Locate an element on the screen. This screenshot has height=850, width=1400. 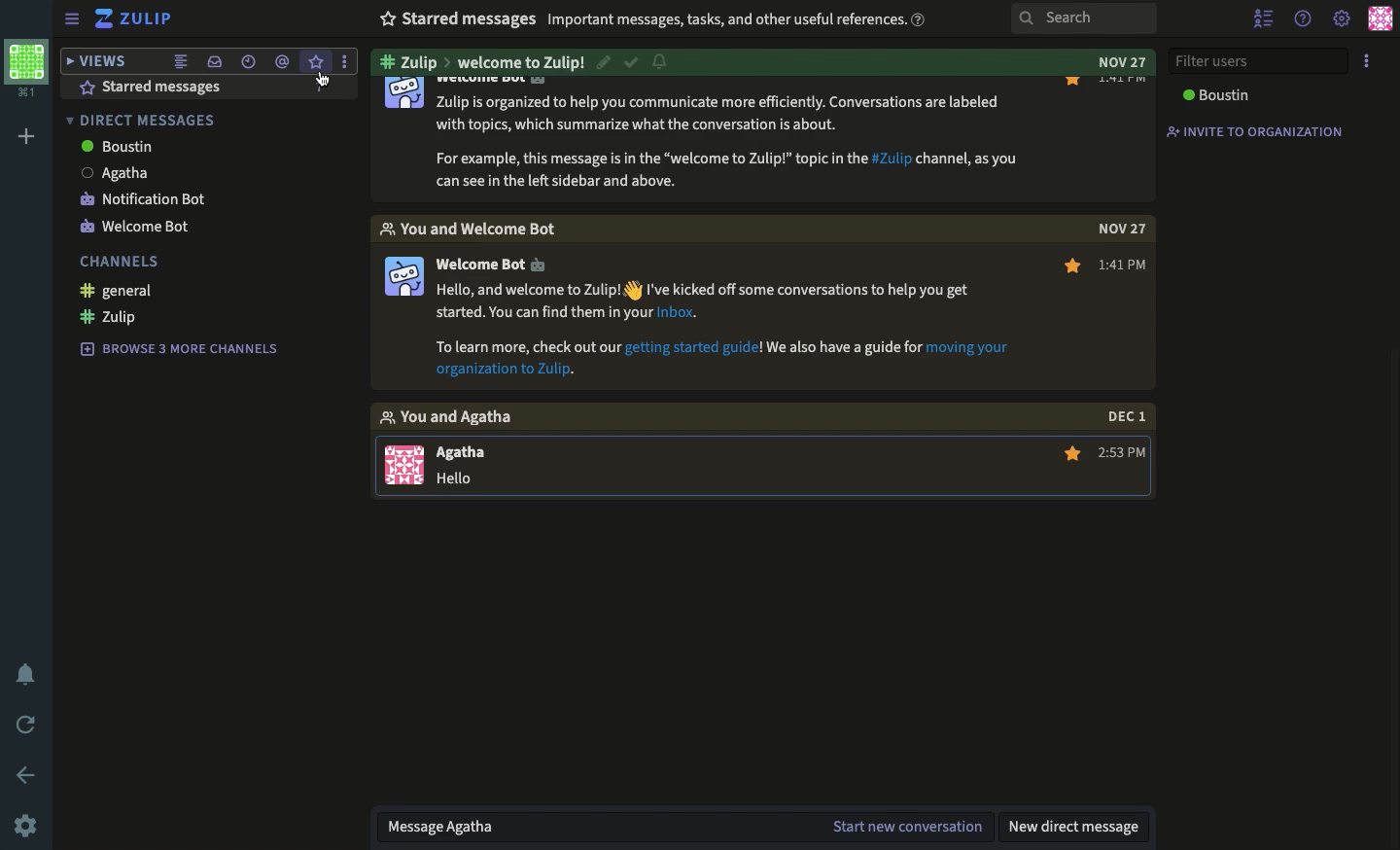
edit is located at coordinates (605, 61).